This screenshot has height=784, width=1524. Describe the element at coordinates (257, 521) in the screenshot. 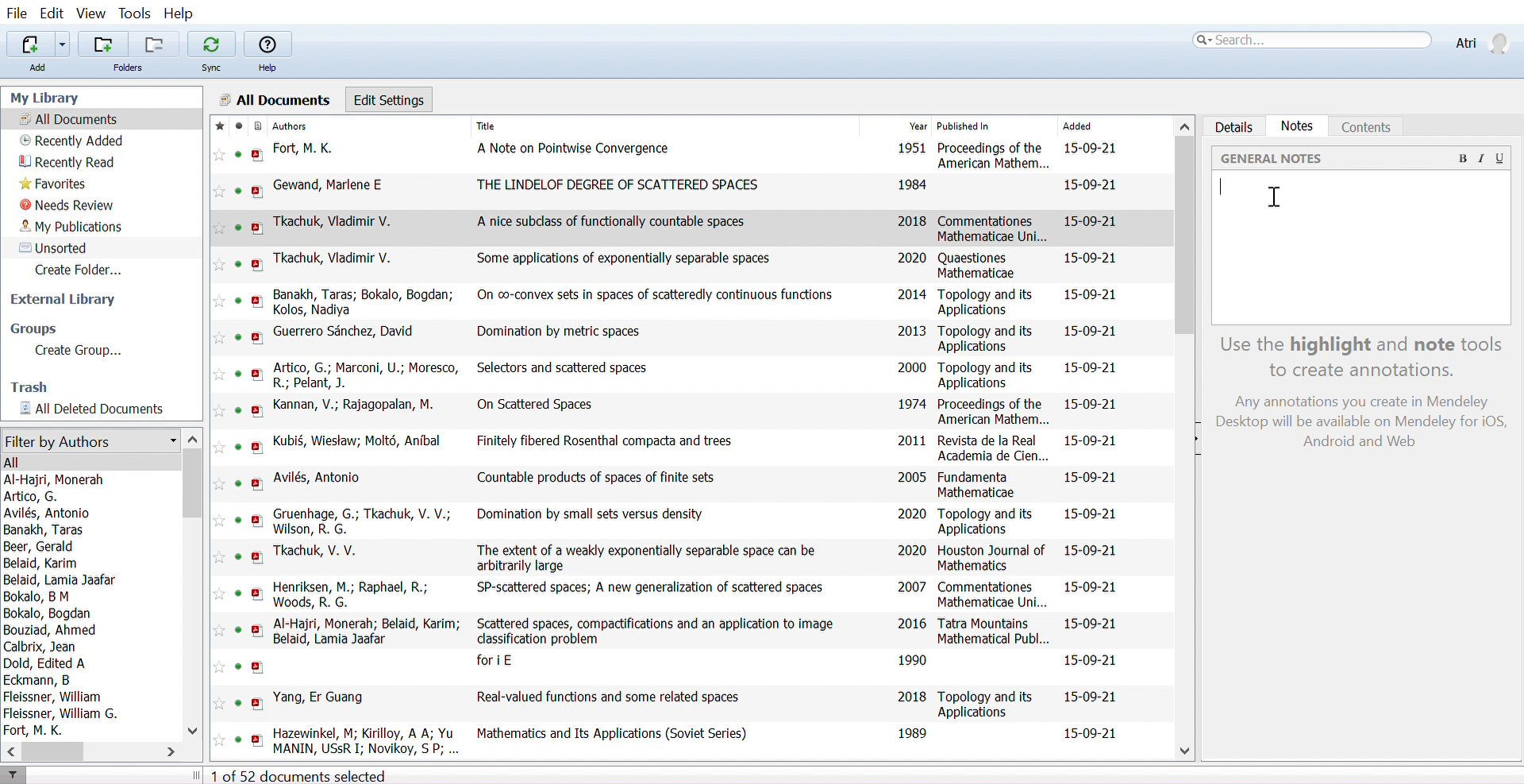

I see `open PDF` at that location.